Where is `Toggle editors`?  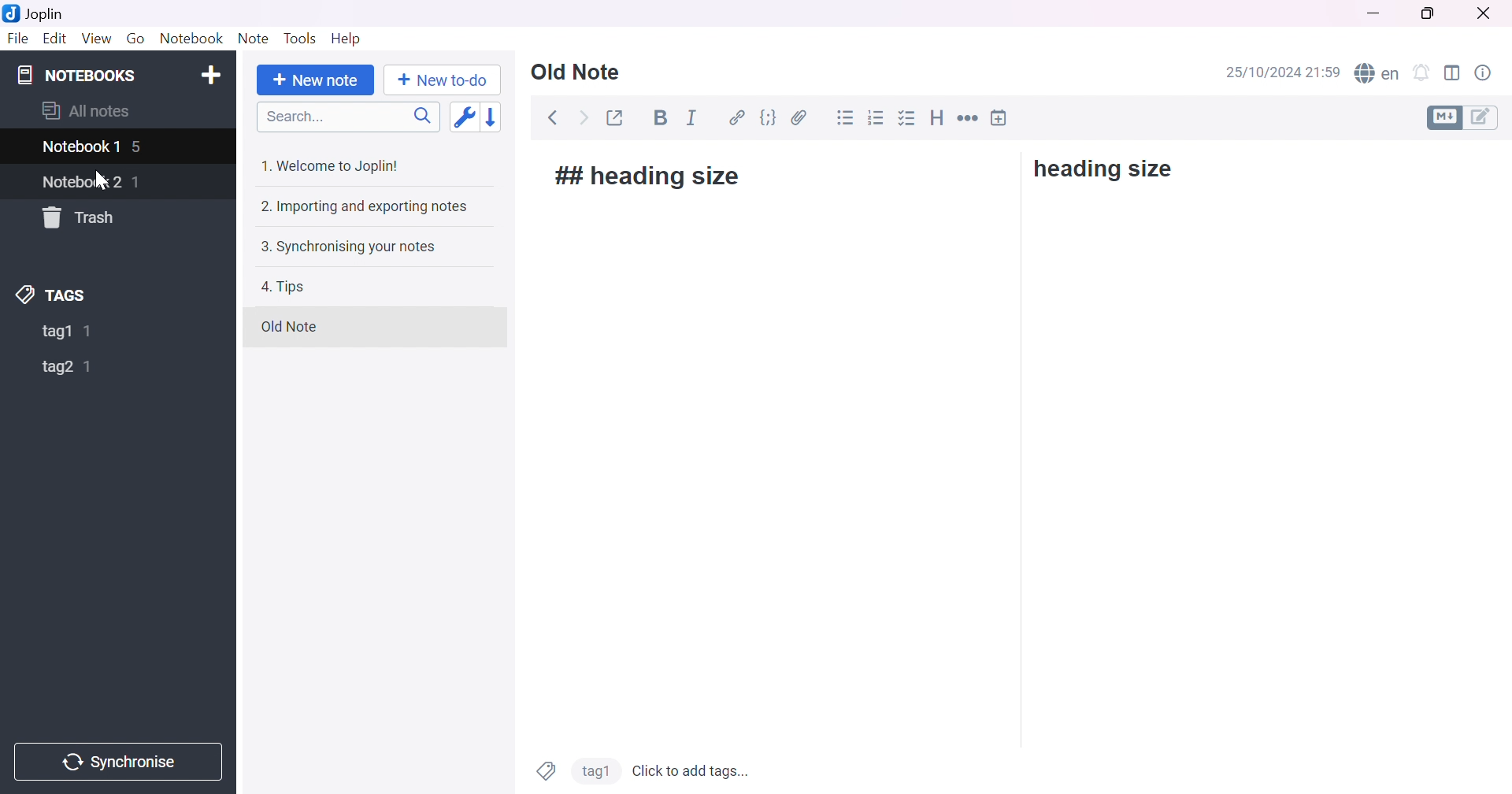
Toggle editors is located at coordinates (1466, 117).